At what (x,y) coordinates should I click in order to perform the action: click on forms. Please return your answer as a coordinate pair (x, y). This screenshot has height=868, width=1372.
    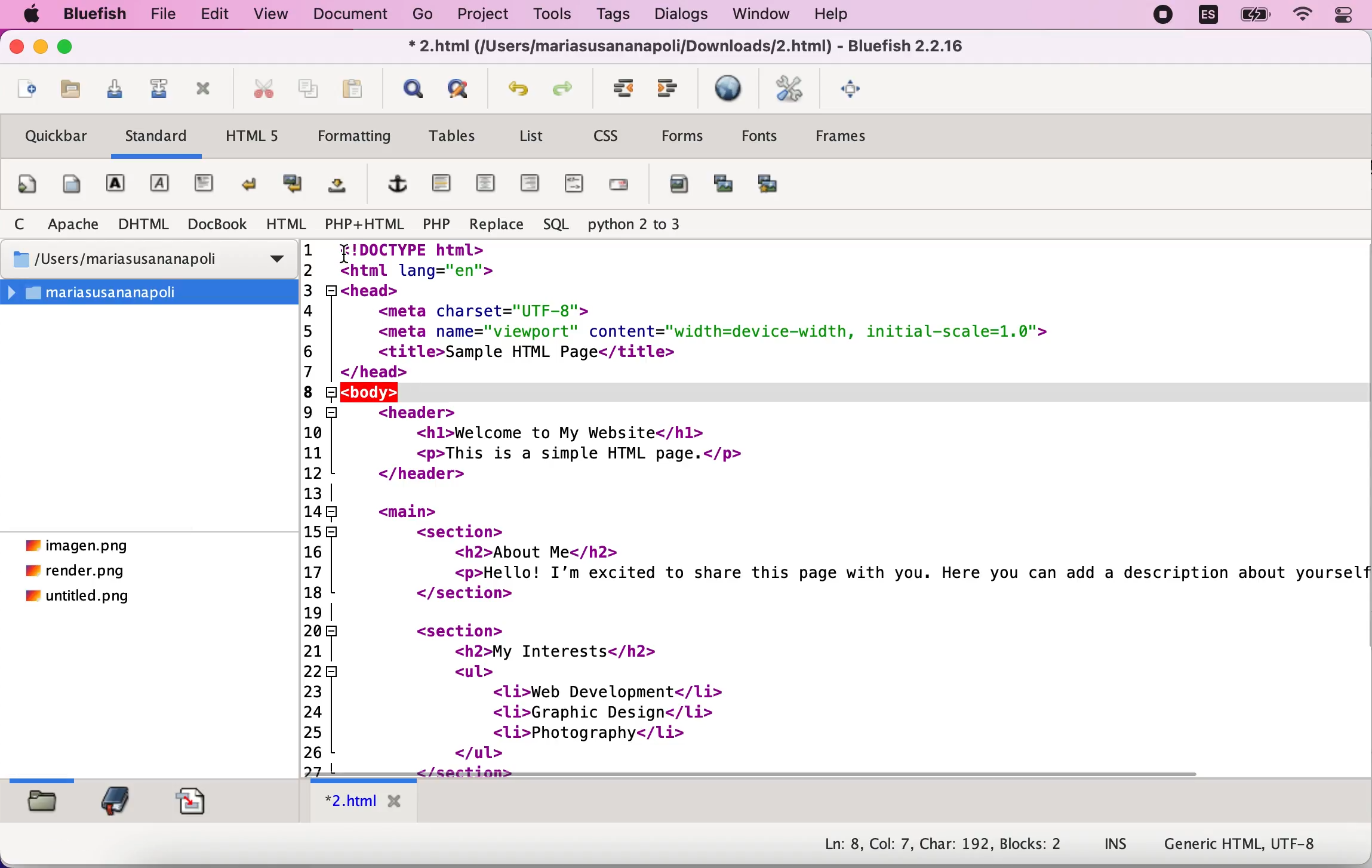
    Looking at the image, I should click on (686, 136).